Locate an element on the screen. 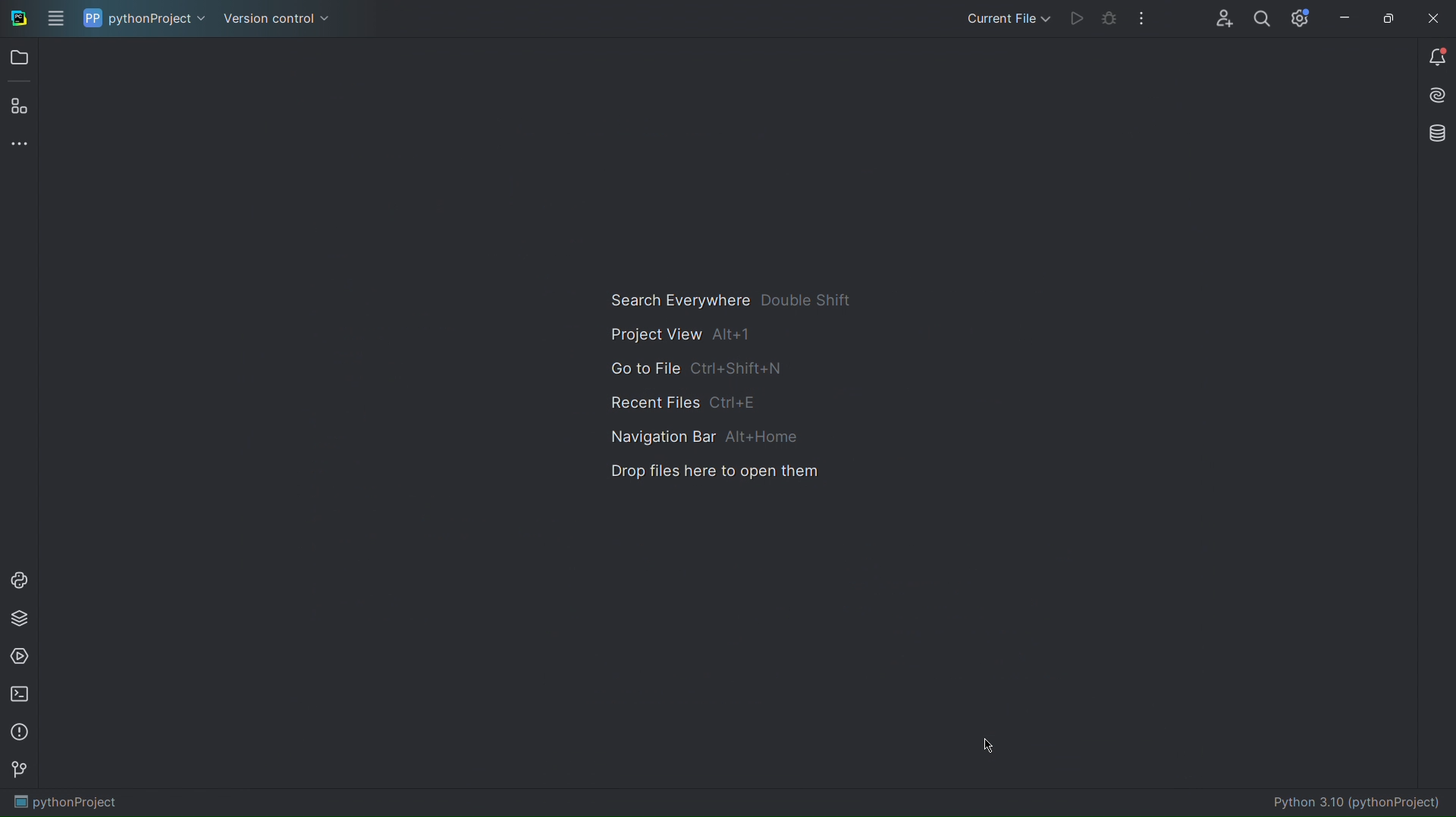 The height and width of the screenshot is (817, 1456). Logo is located at coordinates (17, 18).